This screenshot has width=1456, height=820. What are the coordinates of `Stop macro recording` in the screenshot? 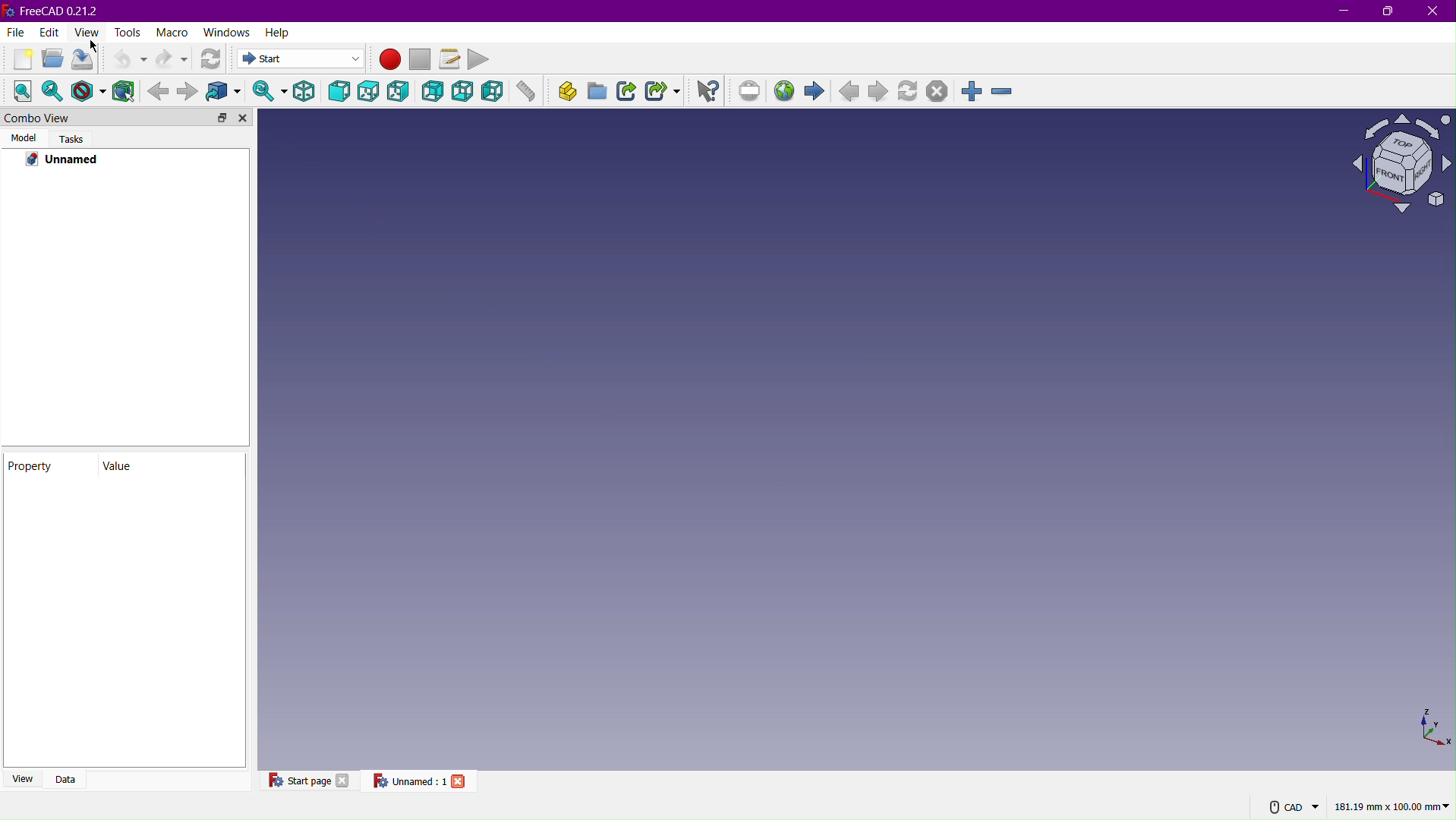 It's located at (421, 60).